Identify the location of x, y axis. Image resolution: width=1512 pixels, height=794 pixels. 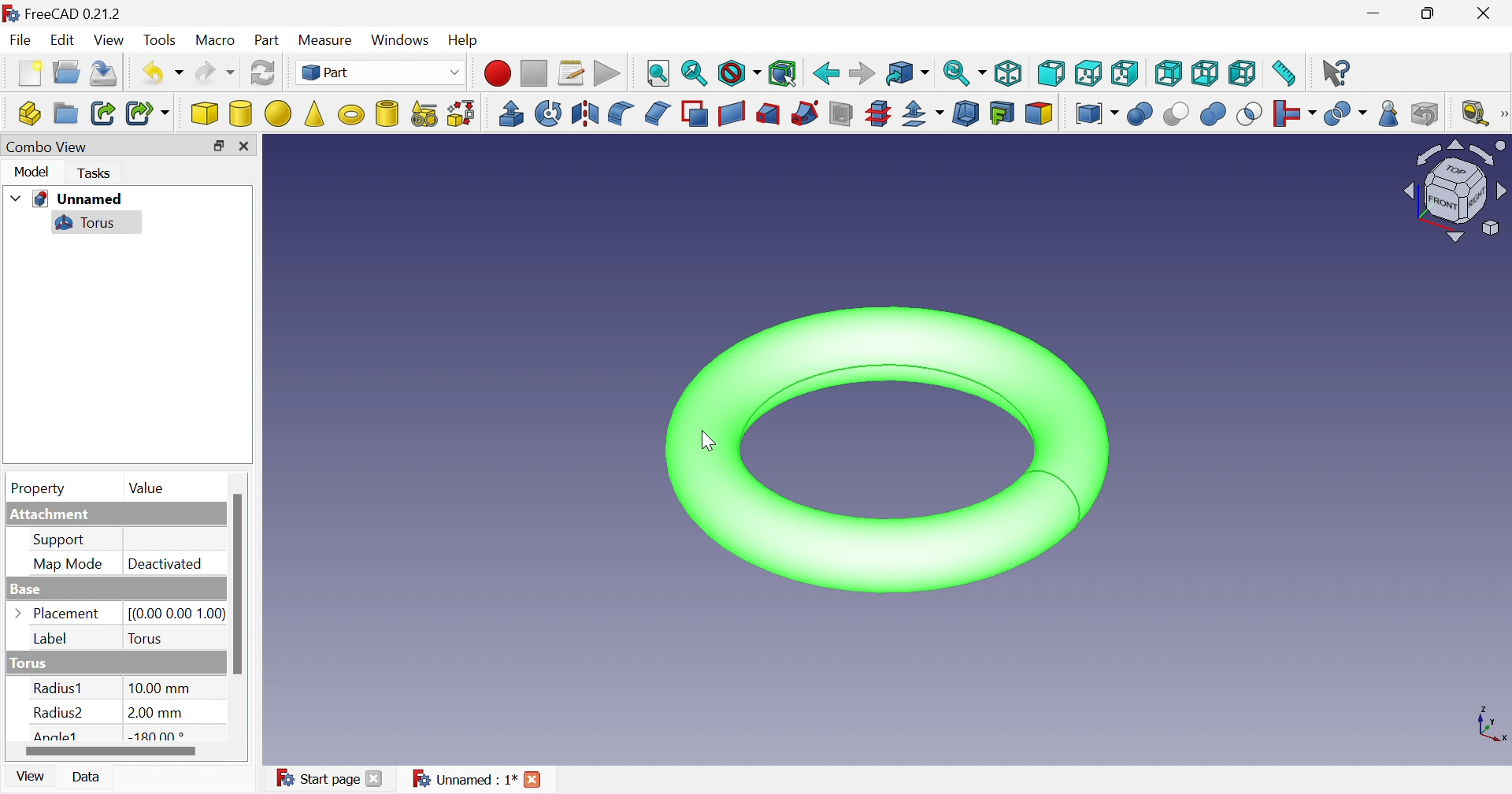
(1492, 727).